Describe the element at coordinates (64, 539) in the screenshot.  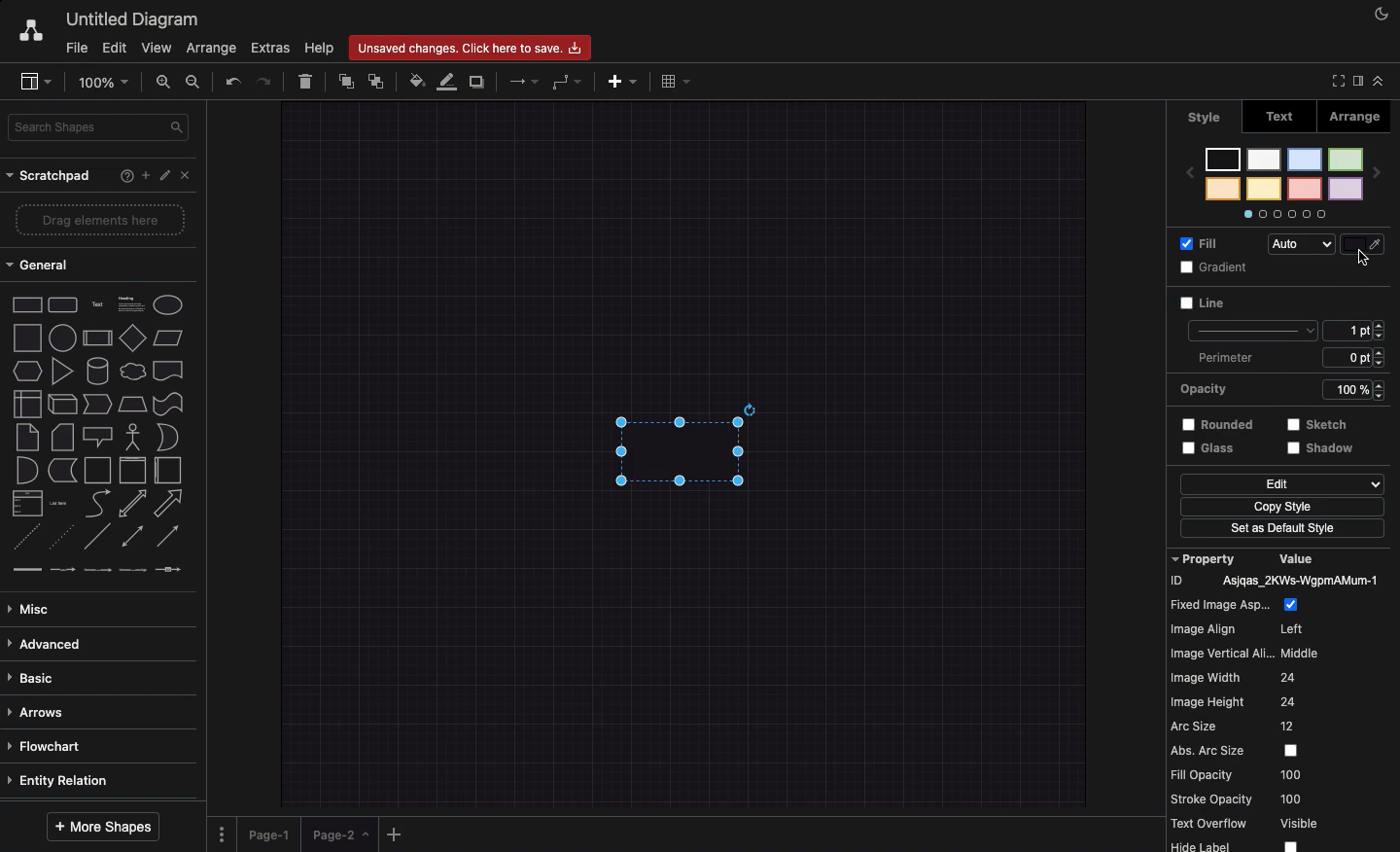
I see `dotted line` at that location.